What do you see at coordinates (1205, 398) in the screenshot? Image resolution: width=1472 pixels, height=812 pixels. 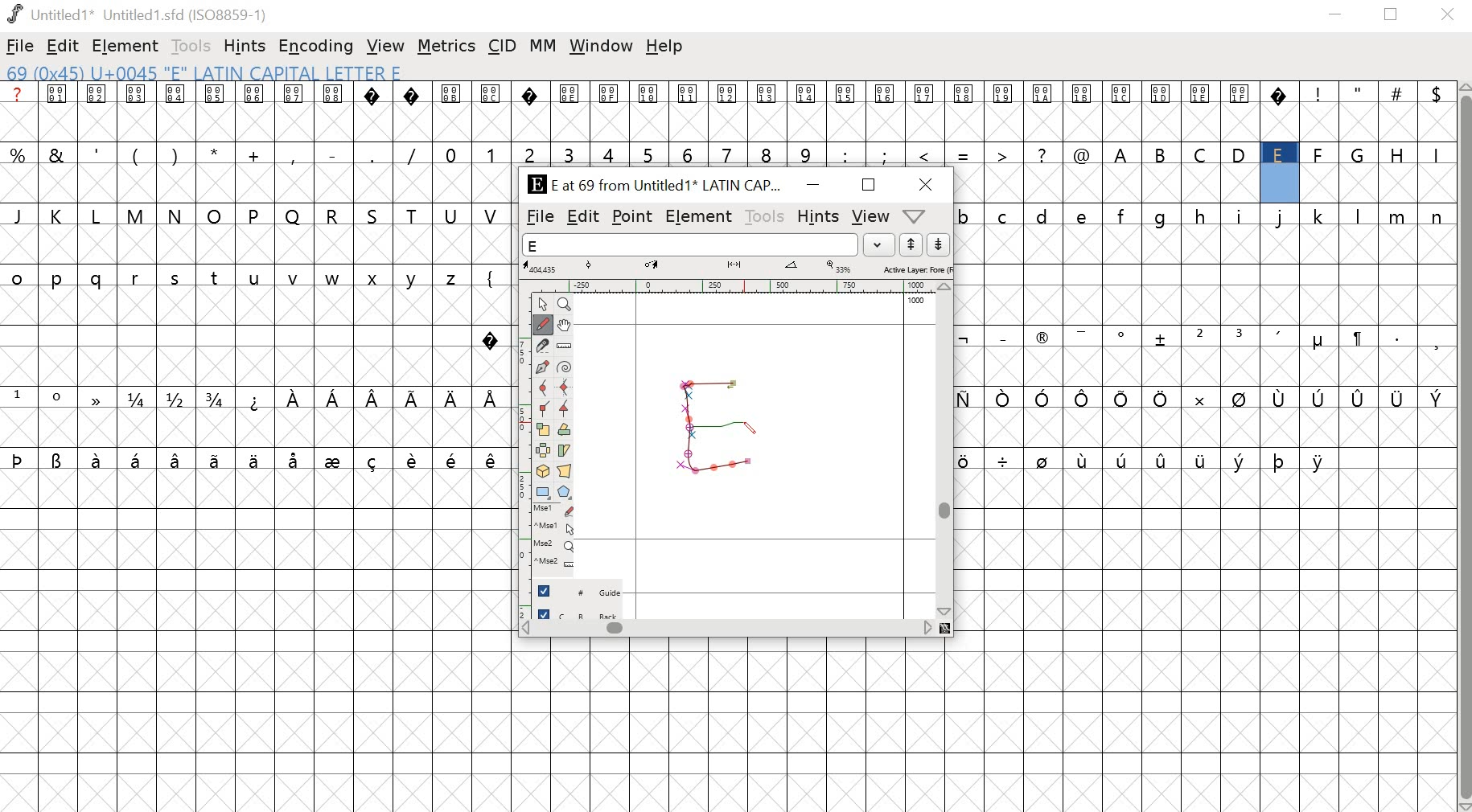 I see `special characters` at bounding box center [1205, 398].